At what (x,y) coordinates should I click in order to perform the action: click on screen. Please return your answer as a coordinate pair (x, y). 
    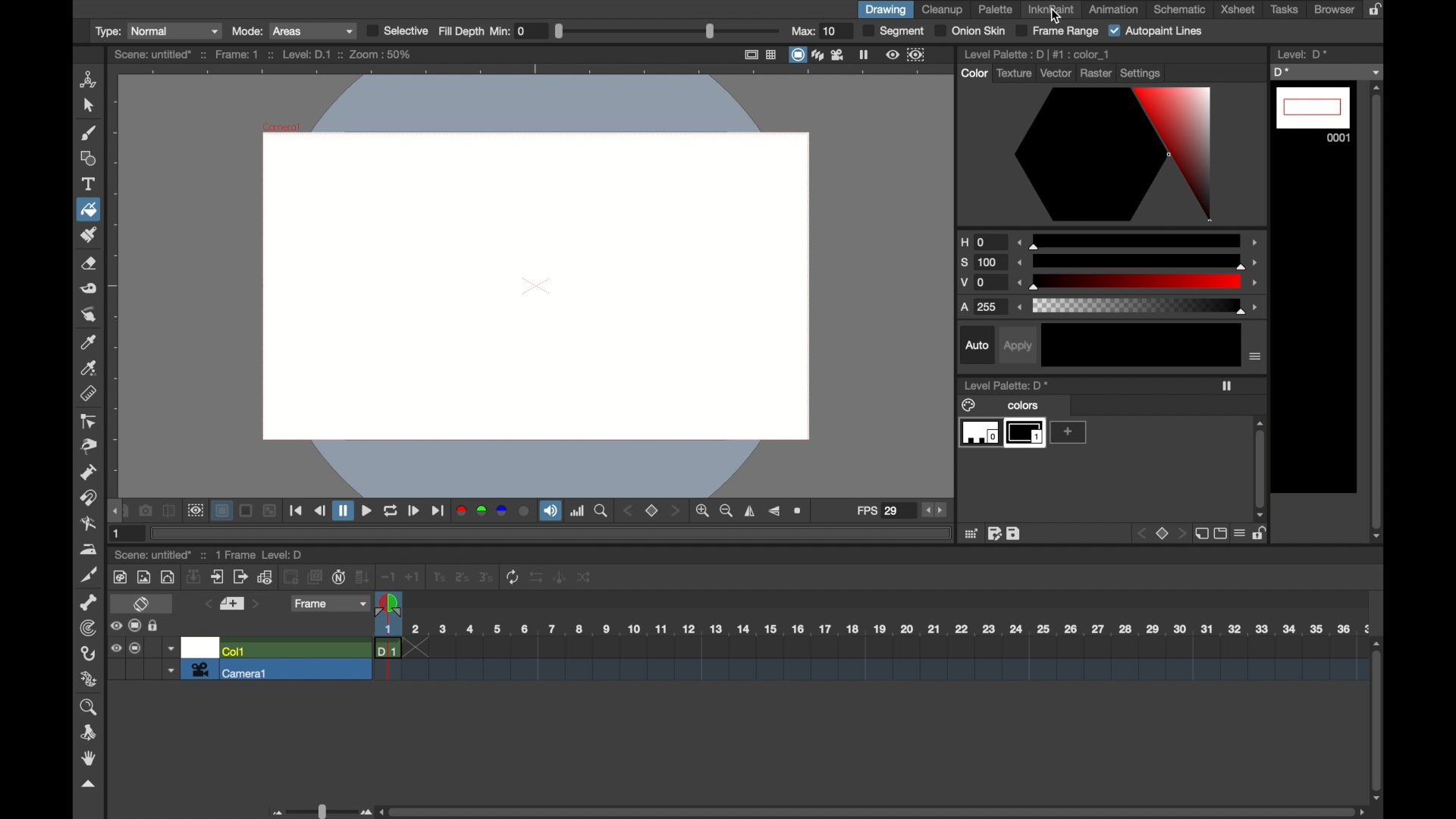
    Looking at the image, I should click on (795, 55).